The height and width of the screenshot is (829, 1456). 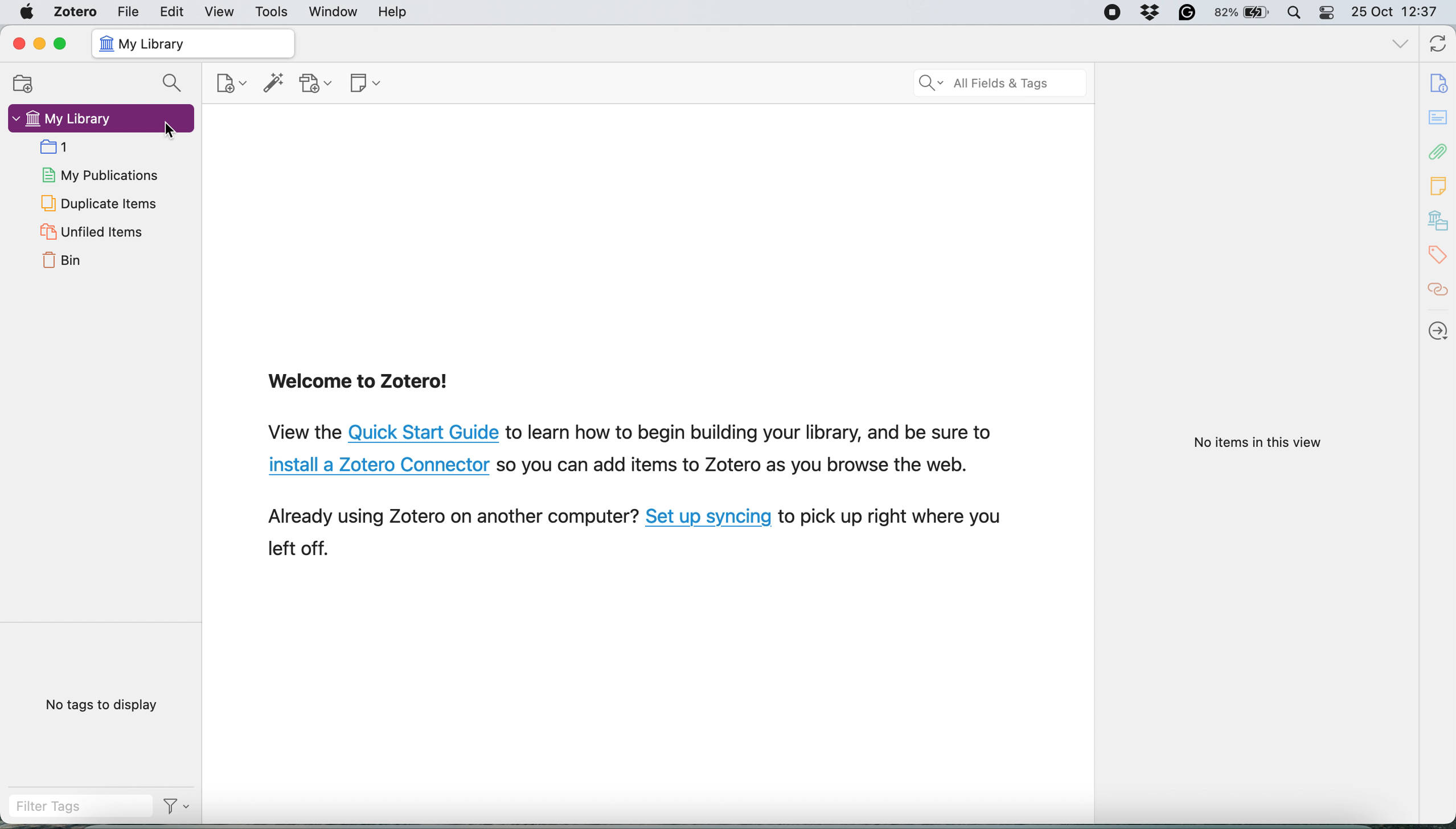 What do you see at coordinates (1149, 11) in the screenshot?
I see `Dropbox` at bounding box center [1149, 11].